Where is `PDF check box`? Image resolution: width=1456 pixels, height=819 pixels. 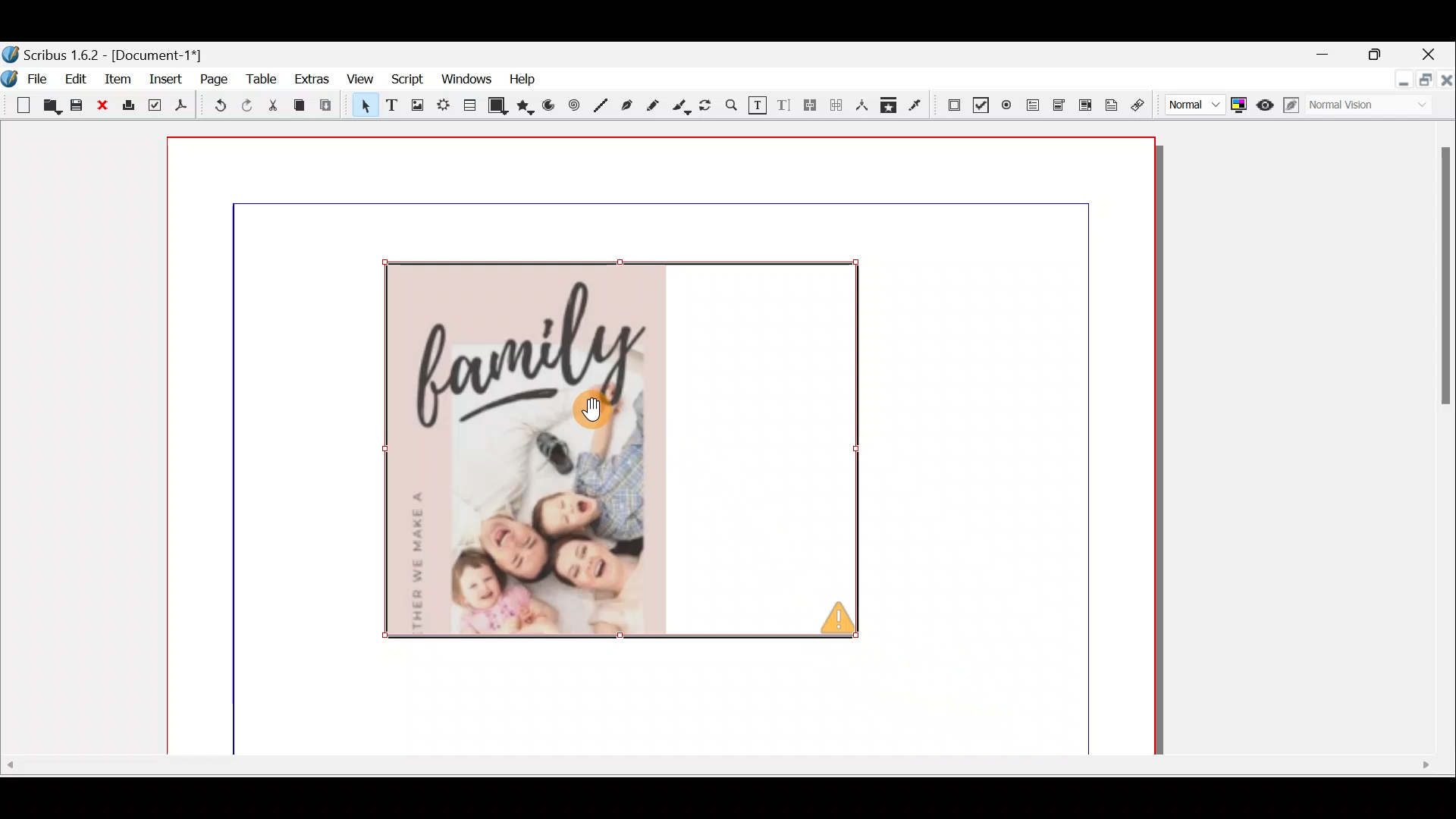 PDF check box is located at coordinates (977, 102).